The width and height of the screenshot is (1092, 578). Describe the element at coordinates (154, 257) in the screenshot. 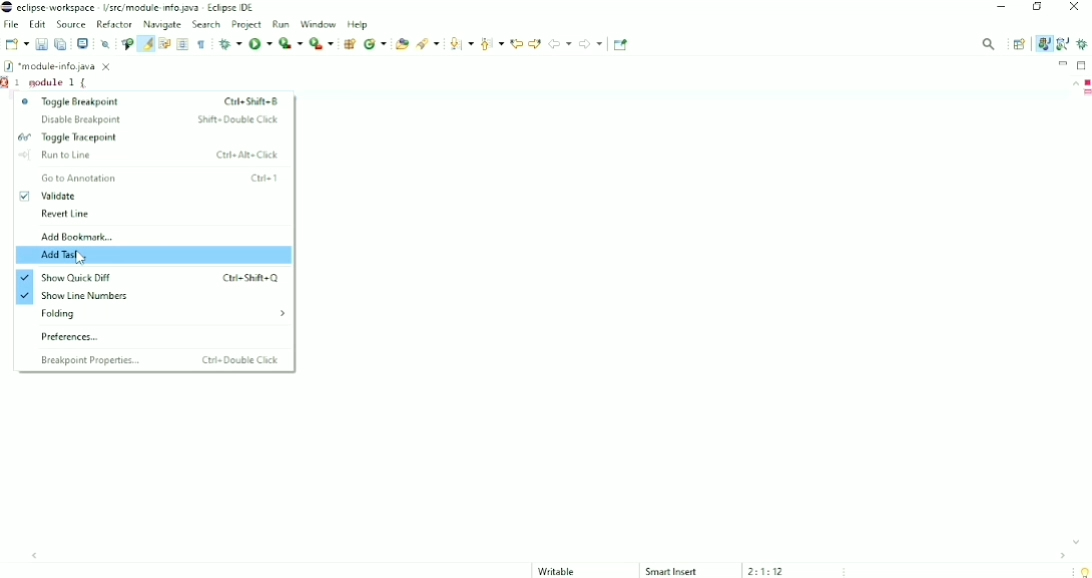

I see `Add Task` at that location.